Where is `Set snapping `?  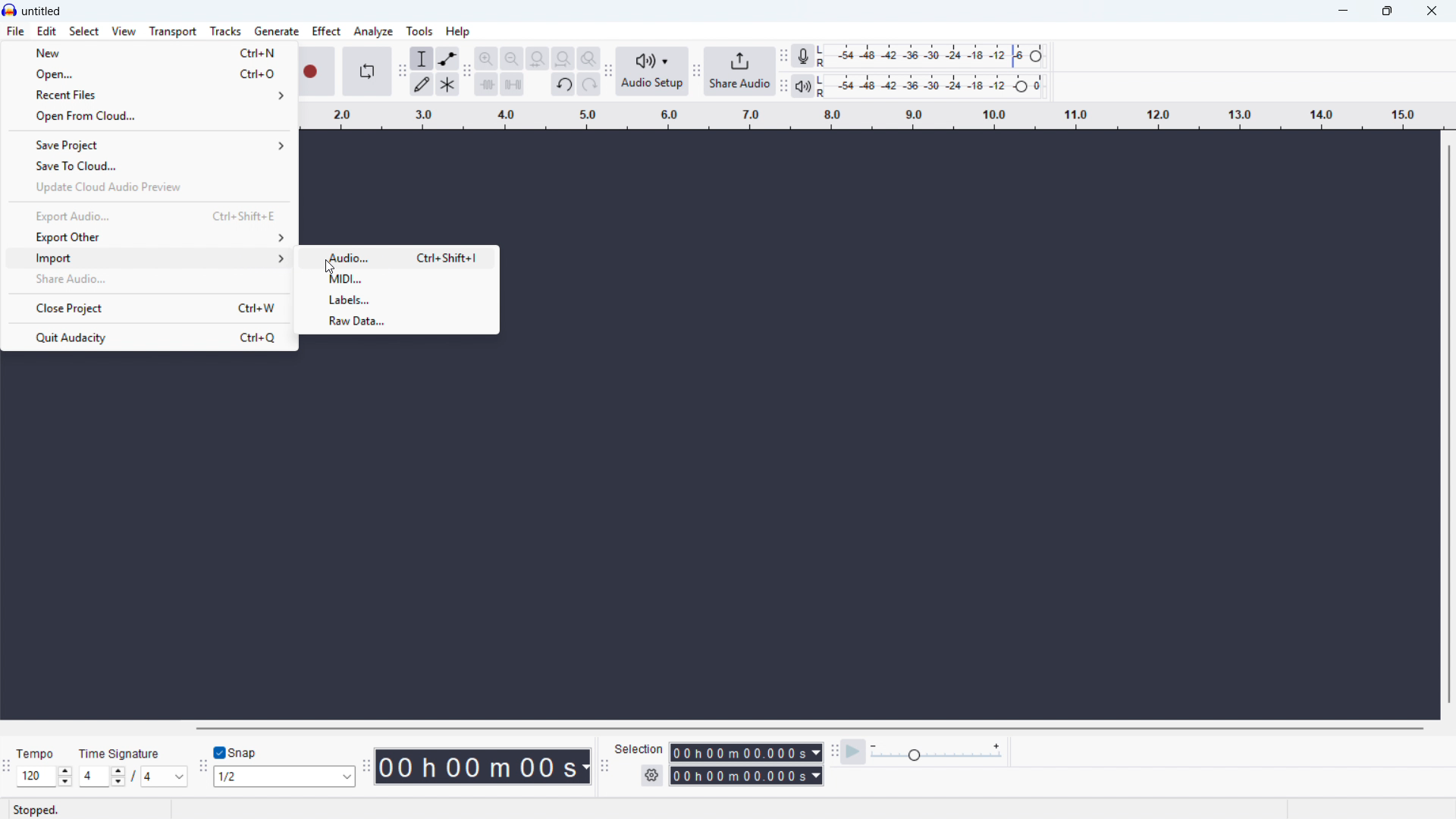 Set snapping  is located at coordinates (284, 776).